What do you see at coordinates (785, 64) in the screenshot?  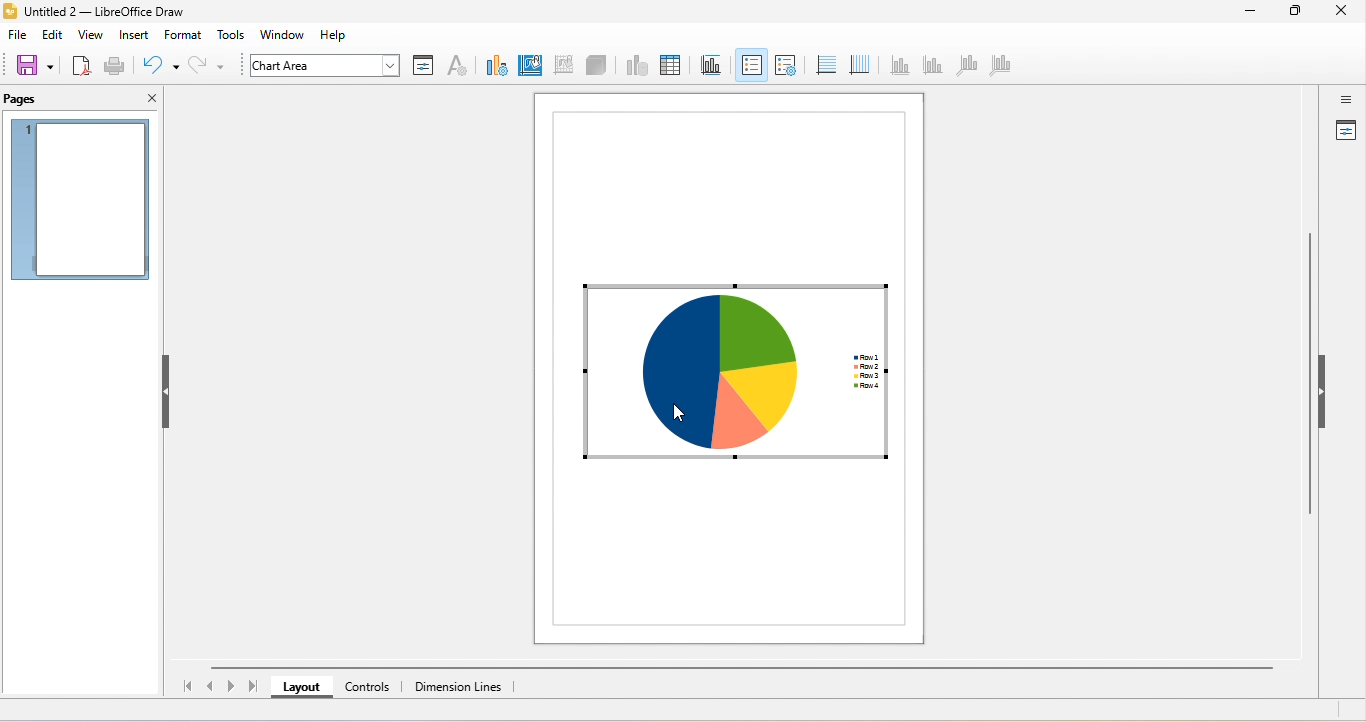 I see `legend` at bounding box center [785, 64].